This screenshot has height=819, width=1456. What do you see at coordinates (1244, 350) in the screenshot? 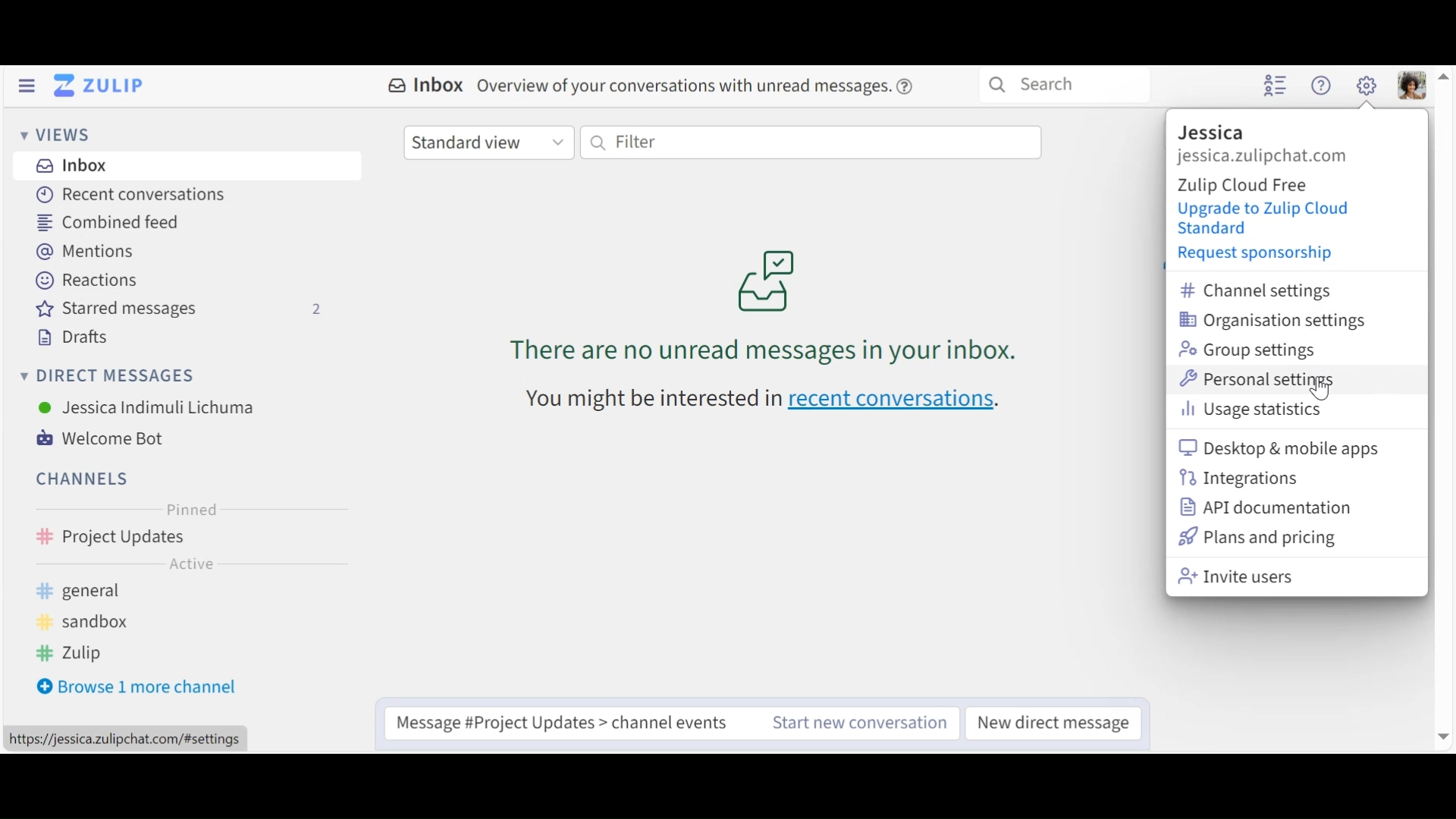
I see `Group Settings` at bounding box center [1244, 350].